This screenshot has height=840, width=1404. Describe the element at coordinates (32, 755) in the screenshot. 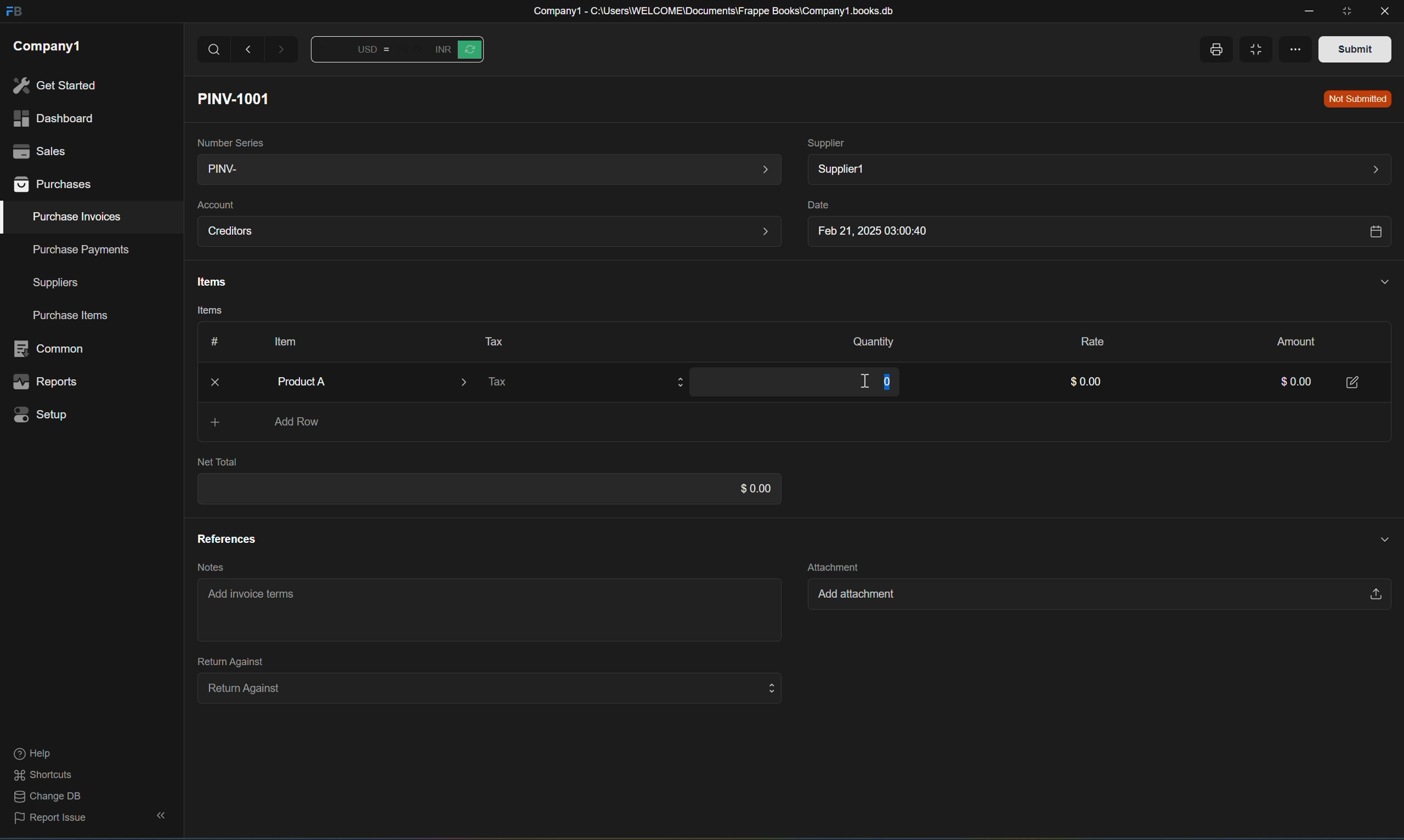

I see `help` at that location.